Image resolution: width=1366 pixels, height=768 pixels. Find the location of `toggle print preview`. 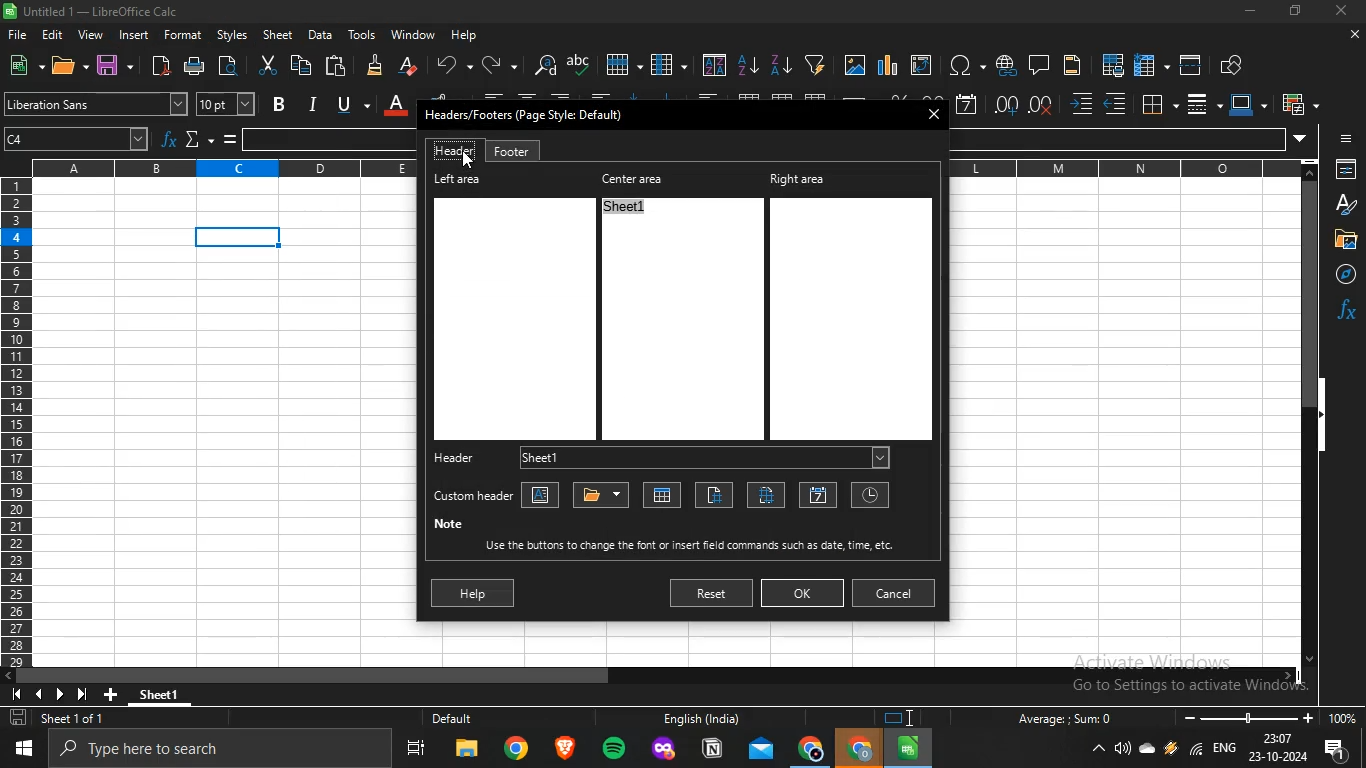

toggle print preview is located at coordinates (232, 65).